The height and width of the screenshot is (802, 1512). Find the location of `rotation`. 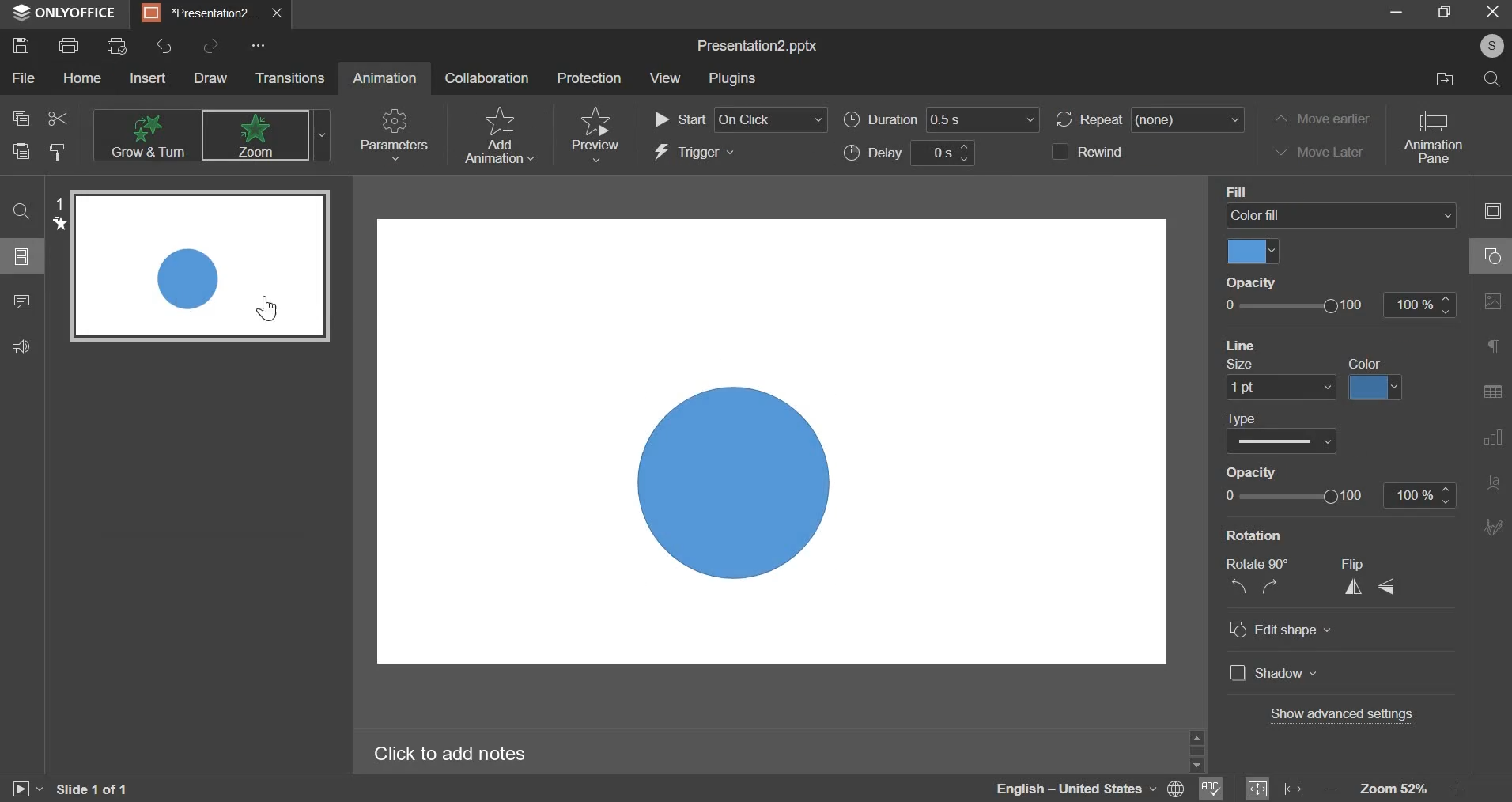

rotation is located at coordinates (1257, 581).